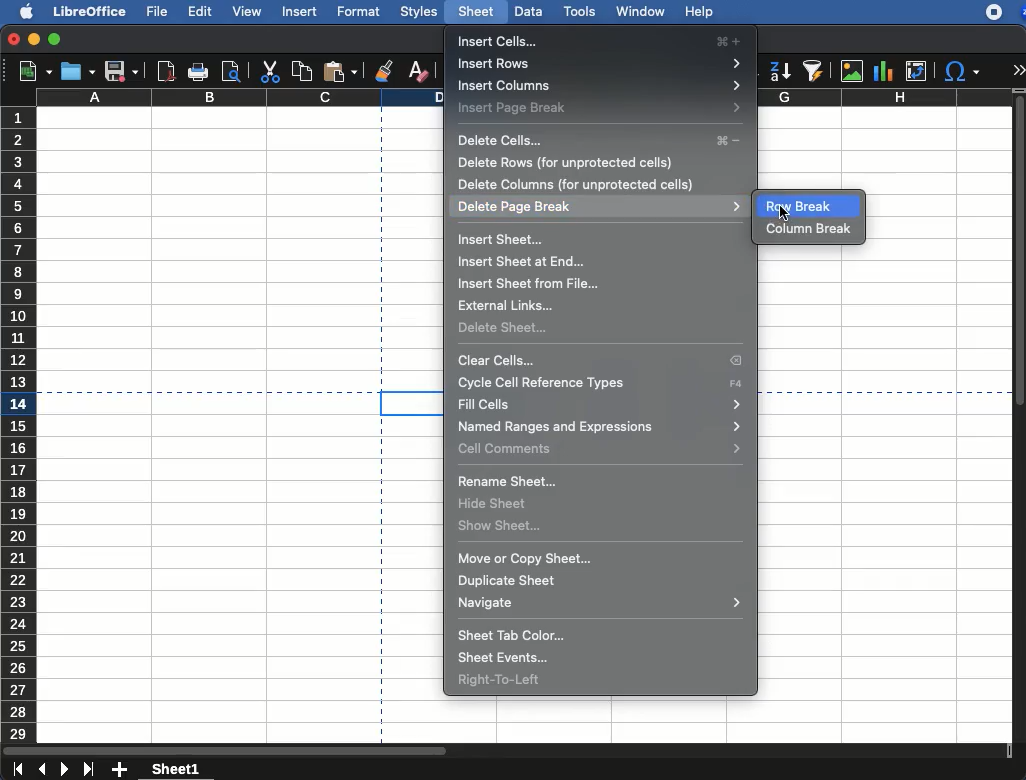 The image size is (1026, 780). I want to click on scroll, so click(1020, 418).